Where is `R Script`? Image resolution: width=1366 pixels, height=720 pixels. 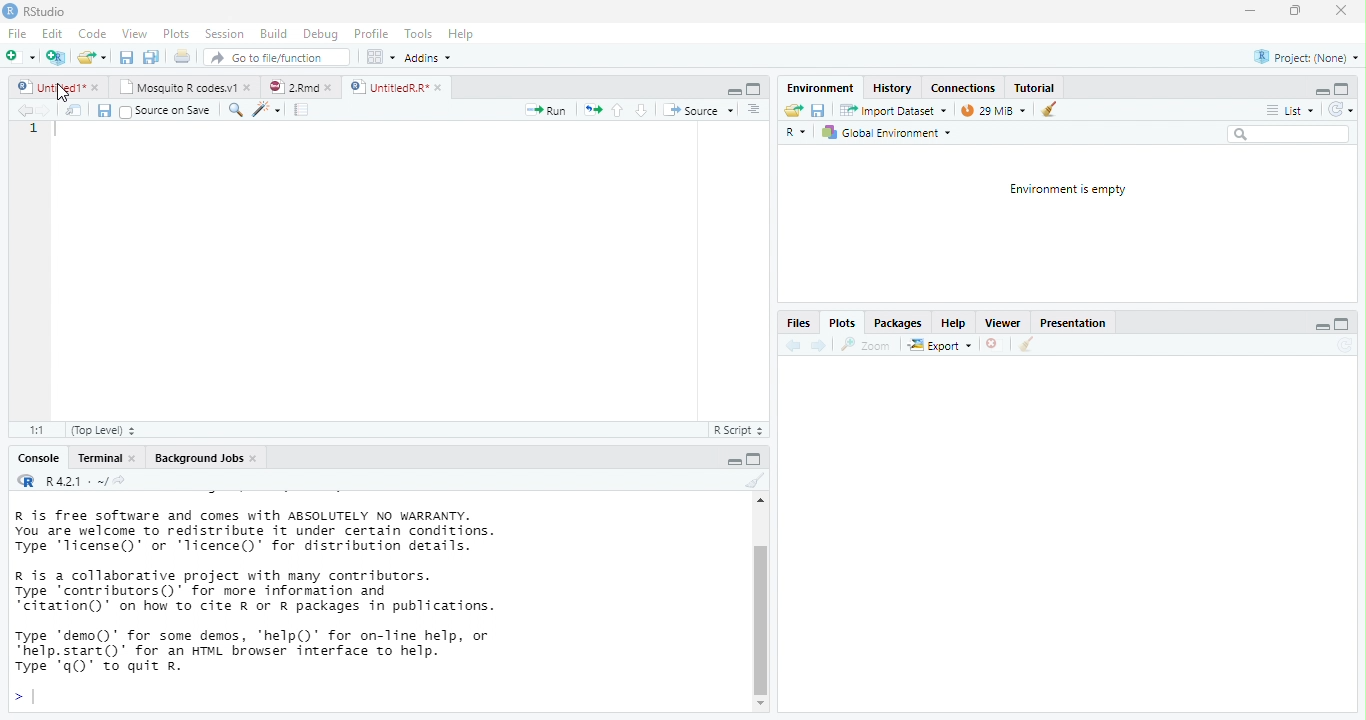 R Script is located at coordinates (736, 430).